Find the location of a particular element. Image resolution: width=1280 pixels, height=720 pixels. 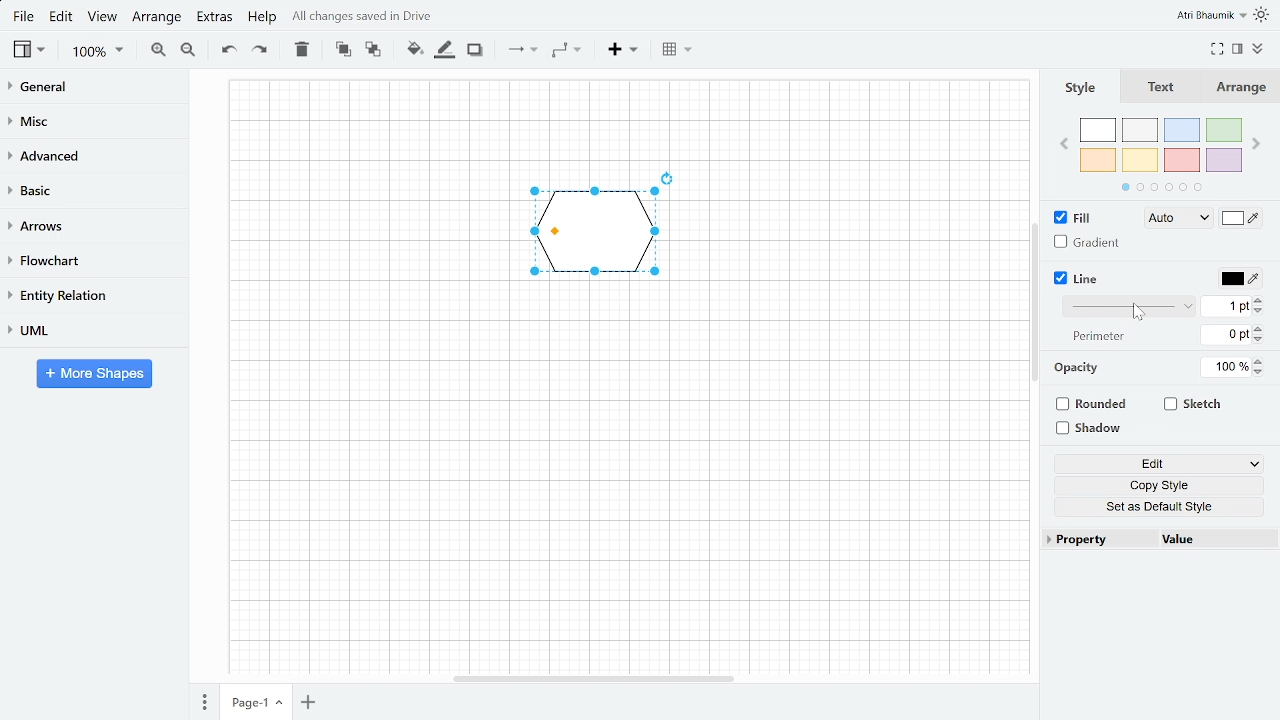

Zoom in is located at coordinates (156, 52).